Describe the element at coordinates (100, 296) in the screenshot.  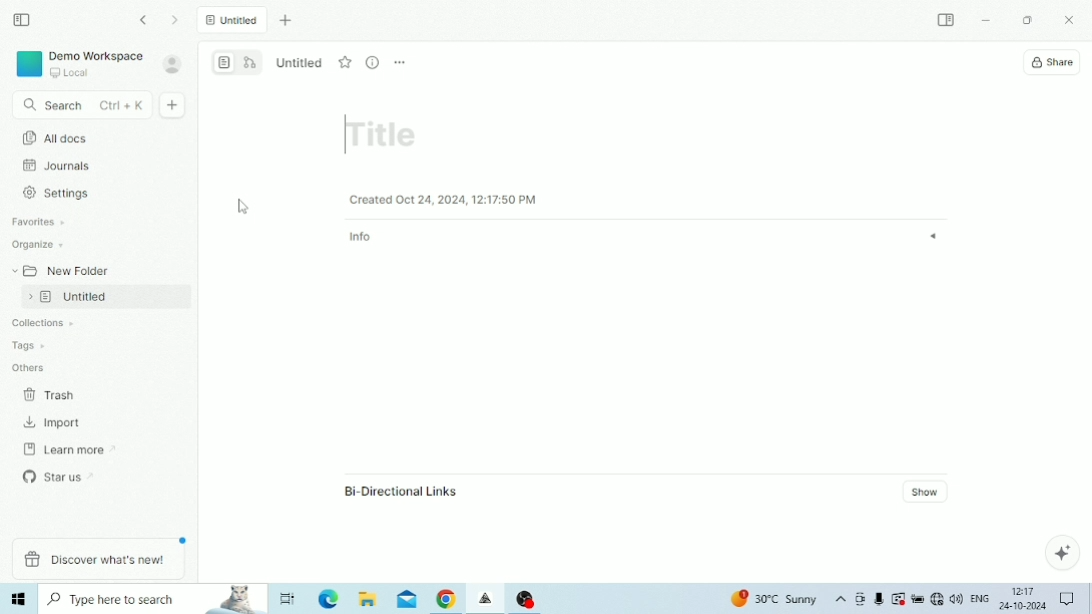
I see `Untitled` at that location.